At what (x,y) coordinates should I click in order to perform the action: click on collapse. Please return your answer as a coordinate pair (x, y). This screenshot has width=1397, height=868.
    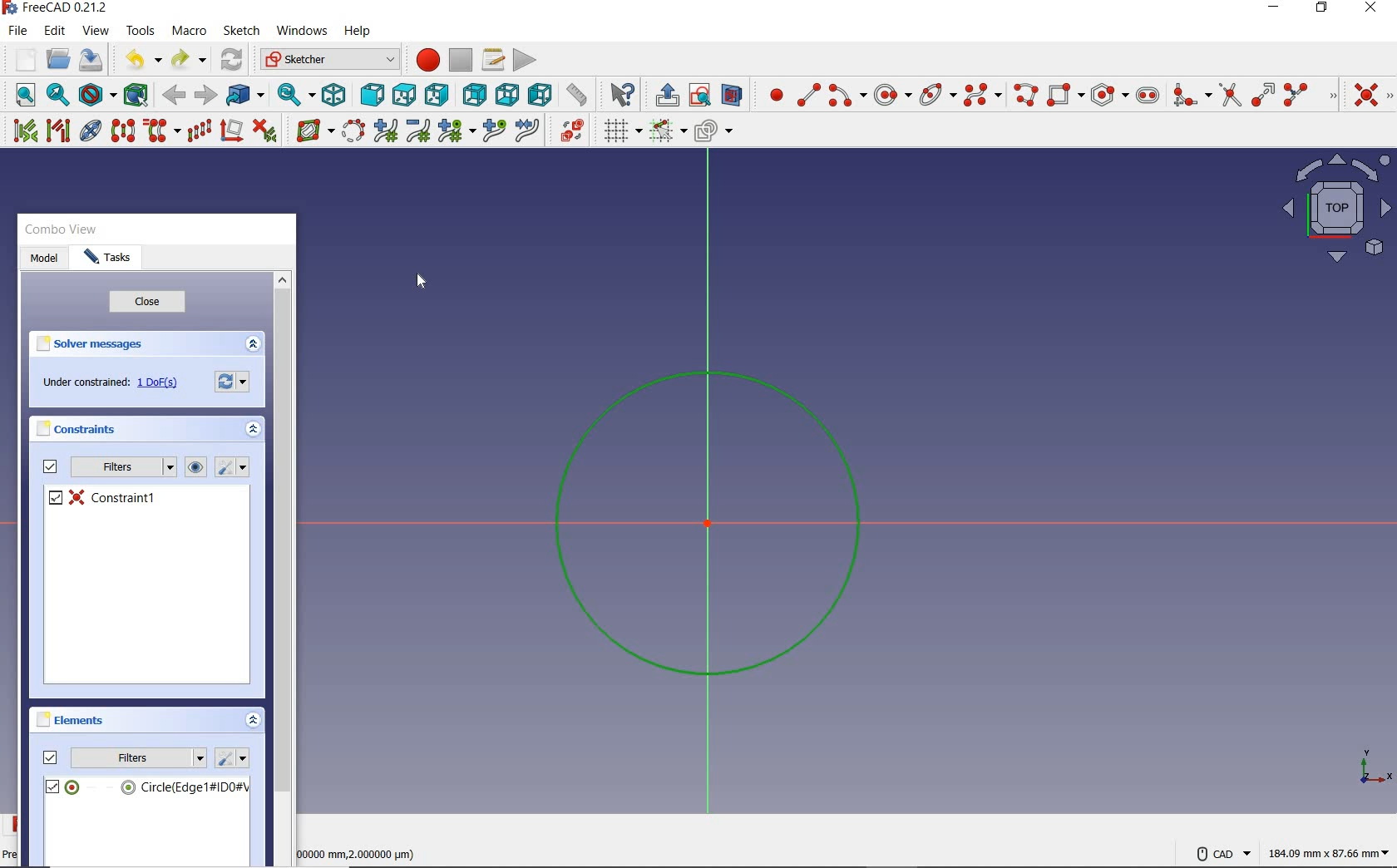
    Looking at the image, I should click on (254, 430).